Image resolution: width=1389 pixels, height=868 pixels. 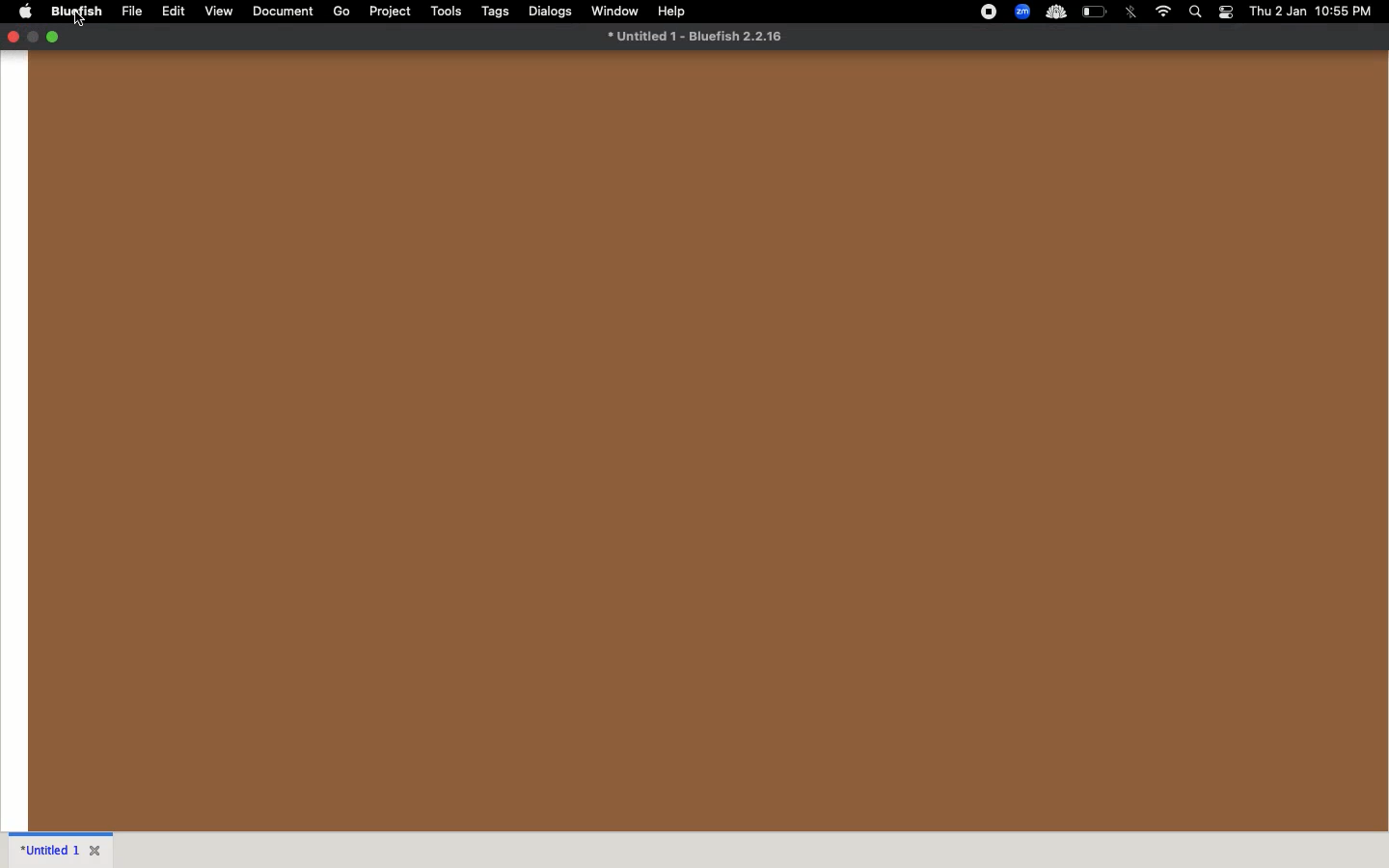 I want to click on Minimize, so click(x=34, y=37).